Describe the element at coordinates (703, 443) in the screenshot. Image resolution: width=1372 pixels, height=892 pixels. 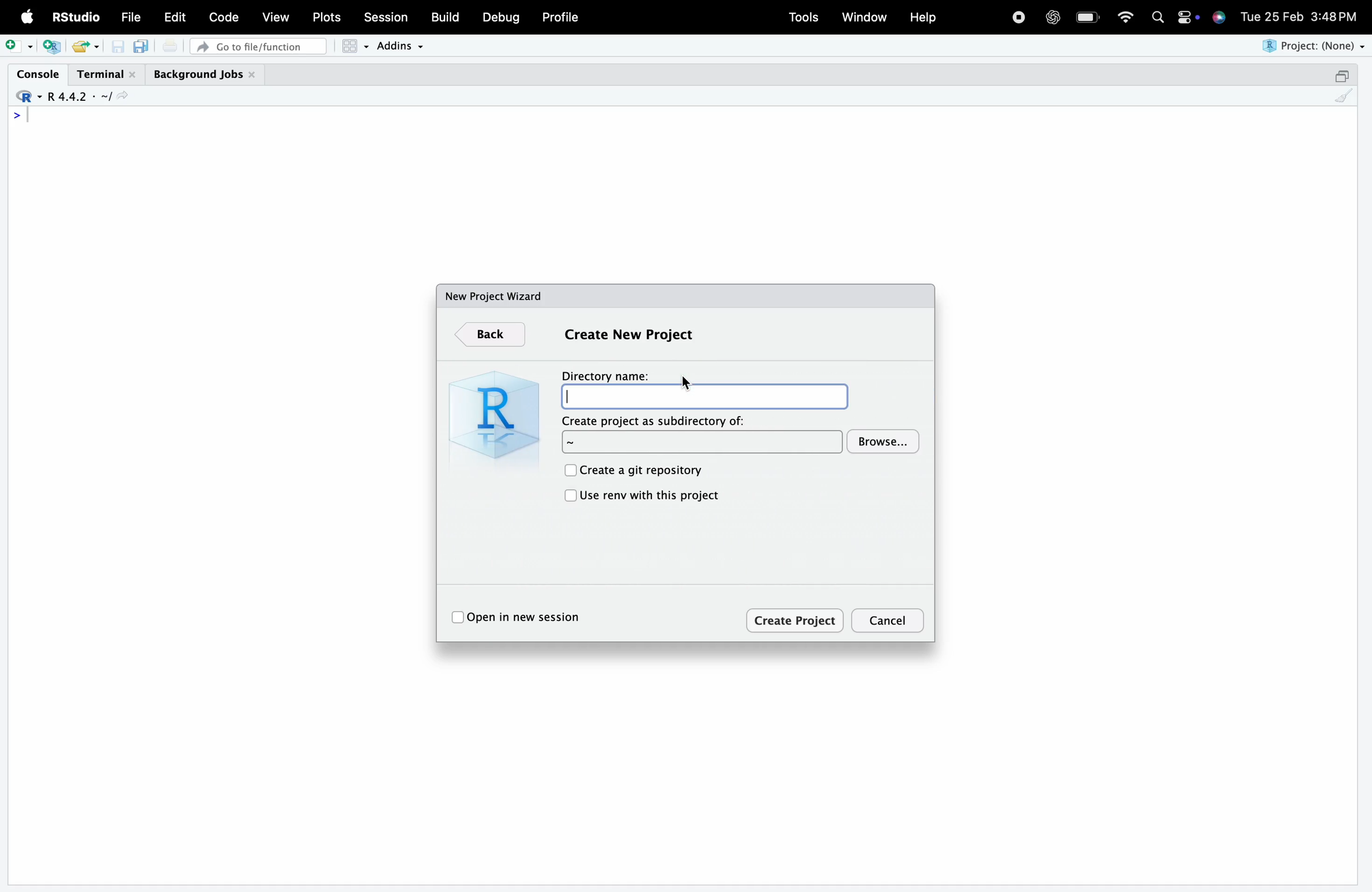
I see `Create project as subdirectory of:` at that location.